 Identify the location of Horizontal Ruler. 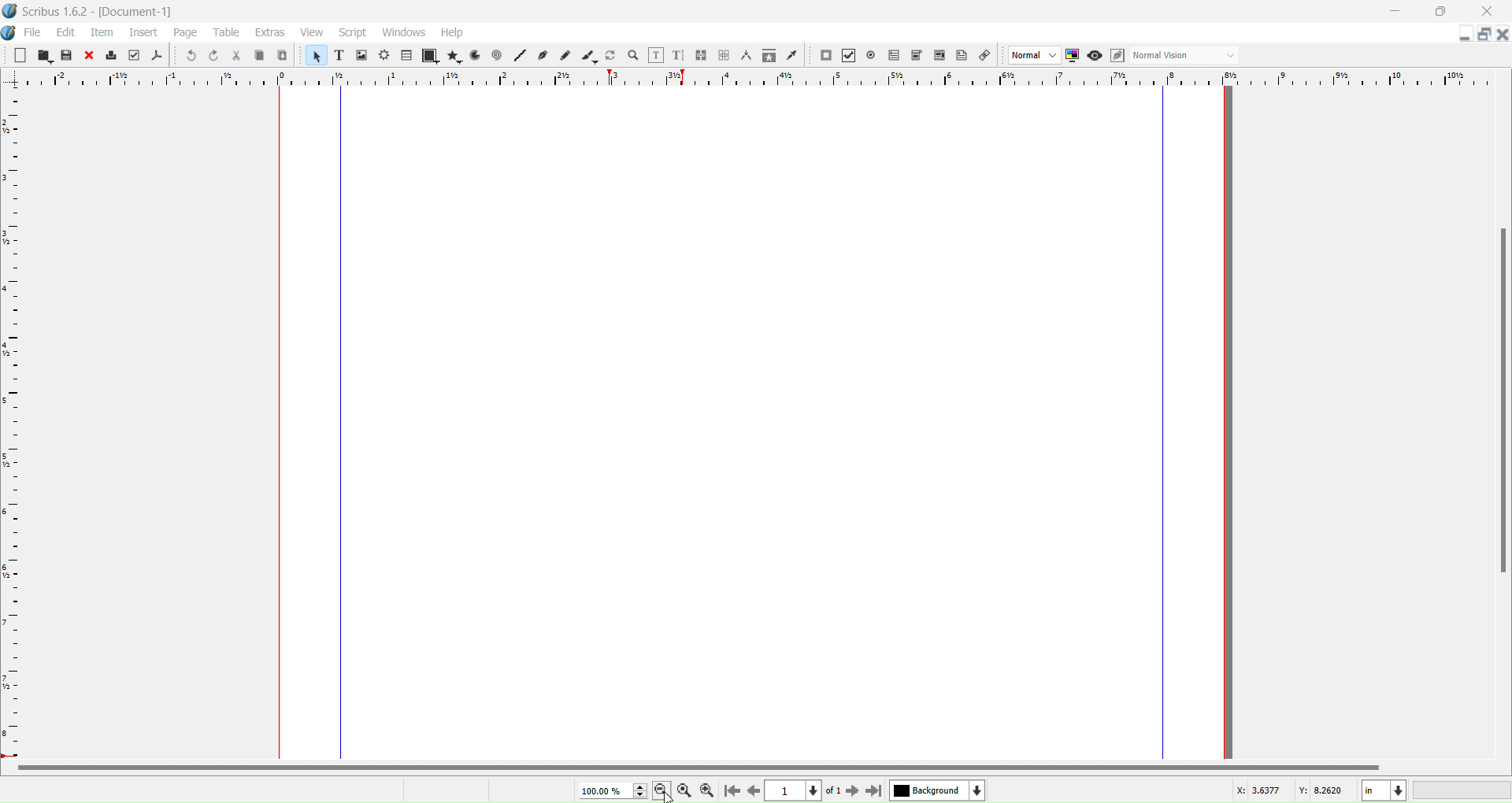
(755, 80).